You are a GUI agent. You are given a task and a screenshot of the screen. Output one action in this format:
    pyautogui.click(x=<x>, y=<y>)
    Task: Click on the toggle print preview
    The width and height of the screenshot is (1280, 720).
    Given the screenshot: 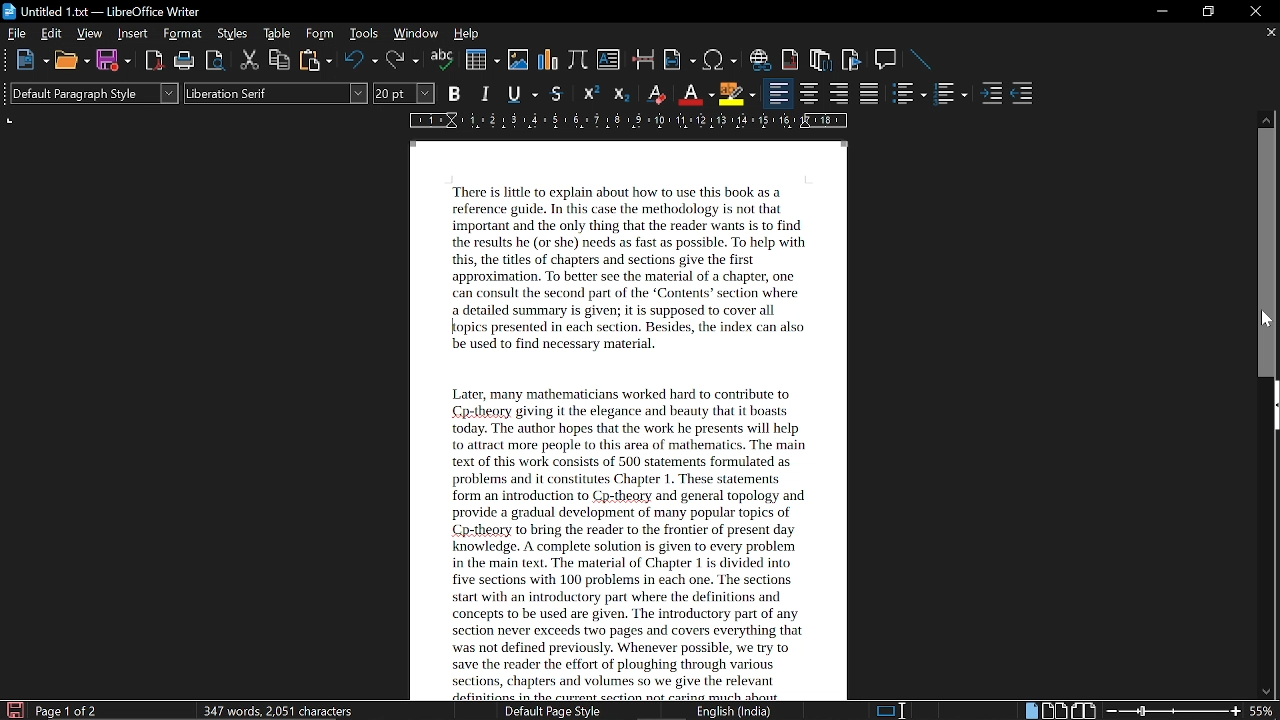 What is the action you would take?
    pyautogui.click(x=216, y=61)
    